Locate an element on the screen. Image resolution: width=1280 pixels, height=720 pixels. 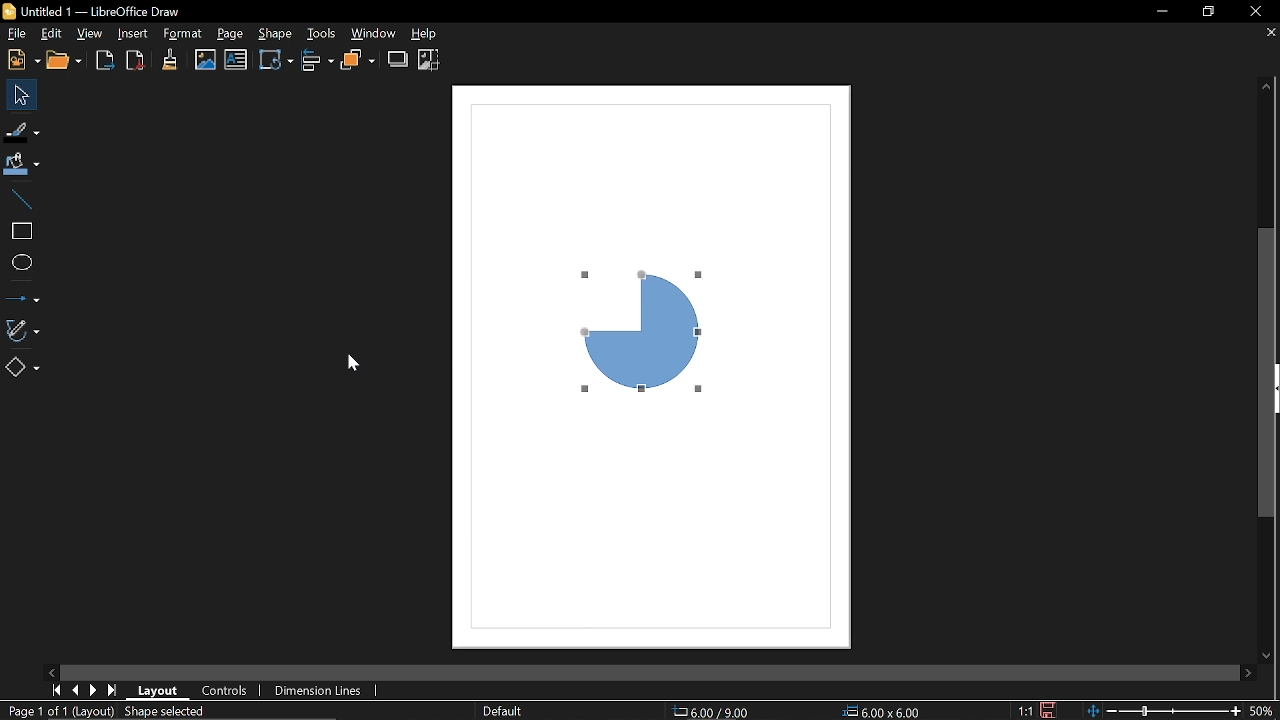
Move right is located at coordinates (1251, 673).